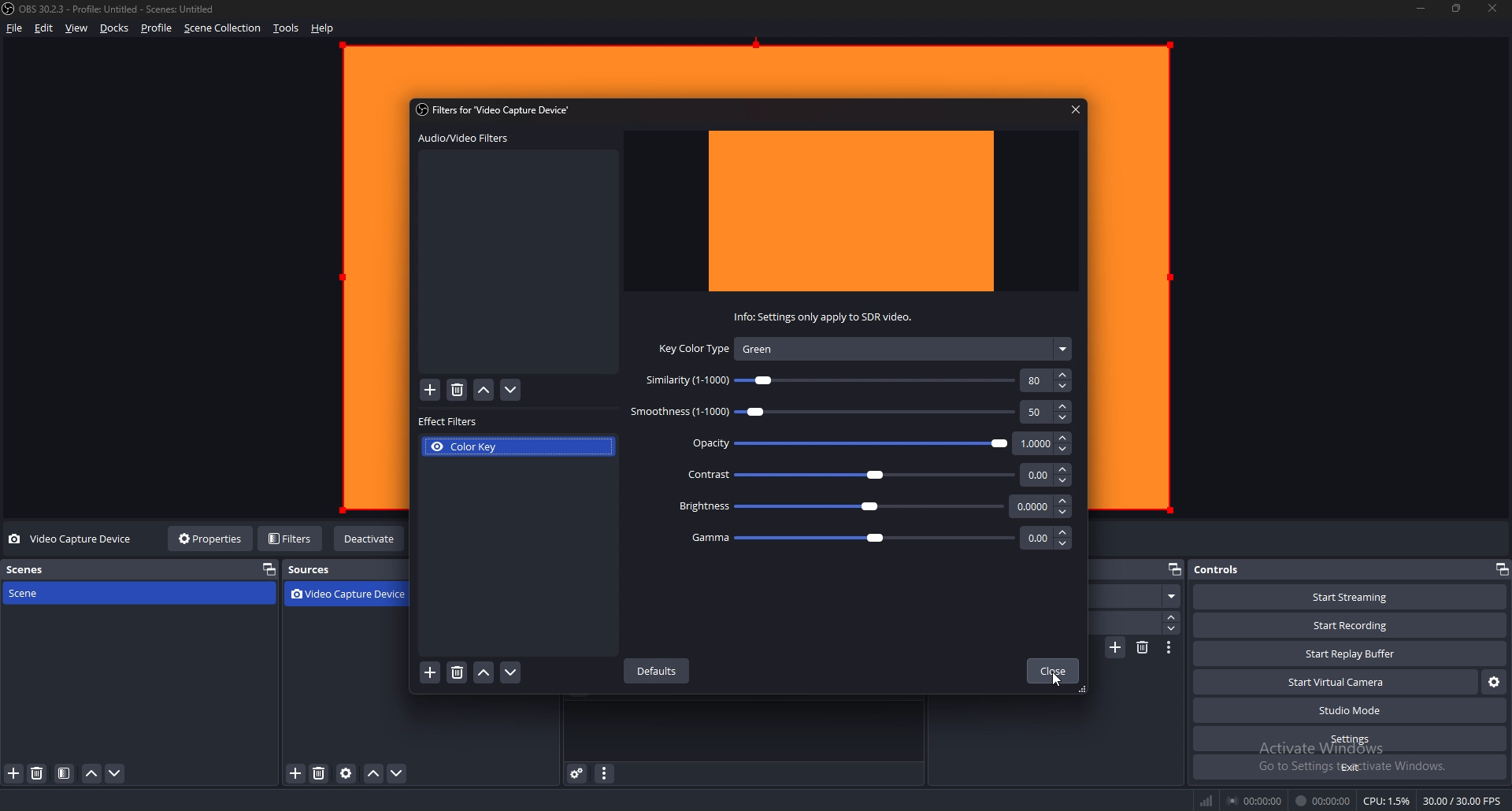 This screenshot has height=811, width=1512. What do you see at coordinates (863, 348) in the screenshot?
I see `key color type` at bounding box center [863, 348].